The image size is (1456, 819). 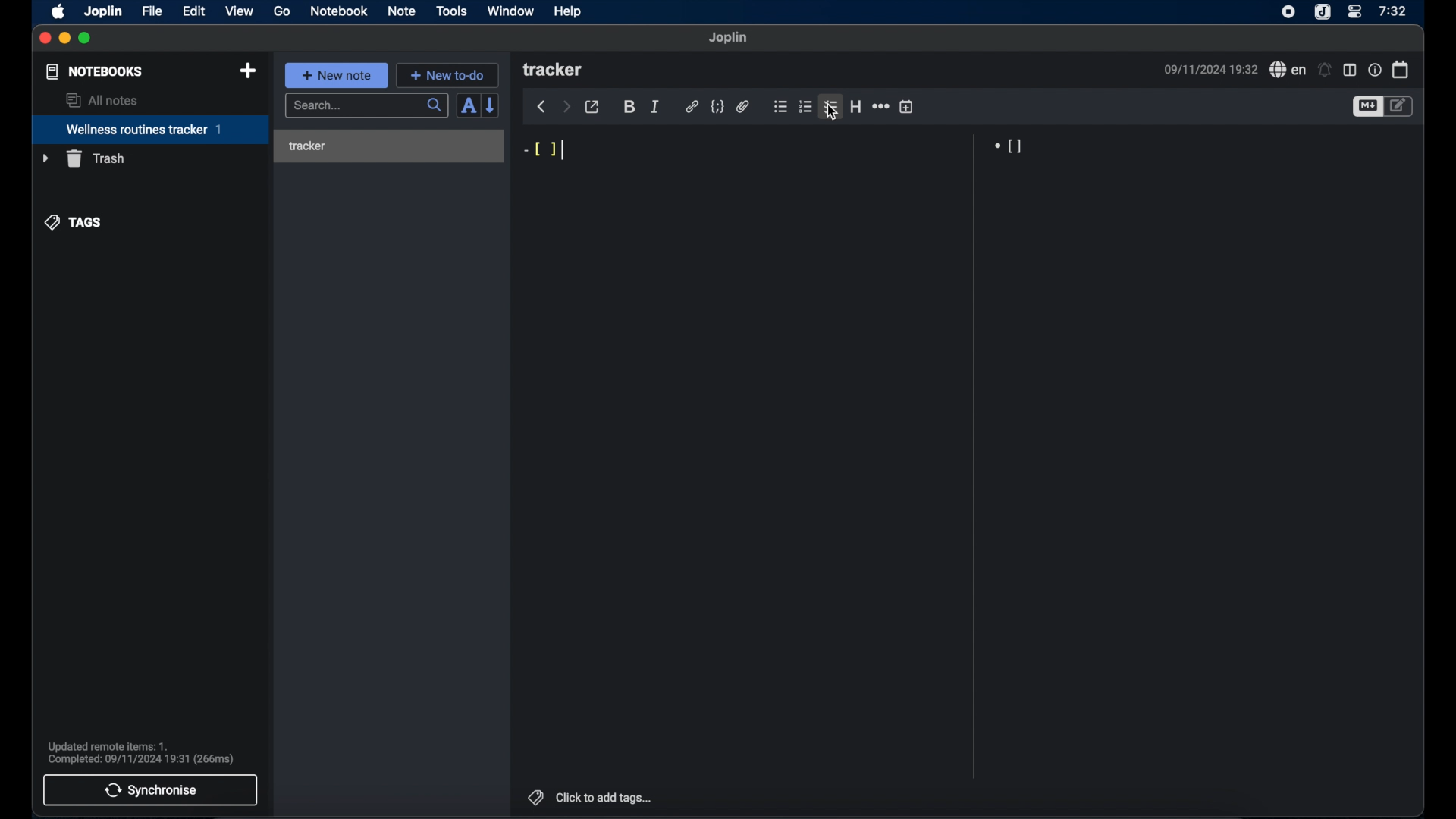 I want to click on synchronise, so click(x=151, y=790).